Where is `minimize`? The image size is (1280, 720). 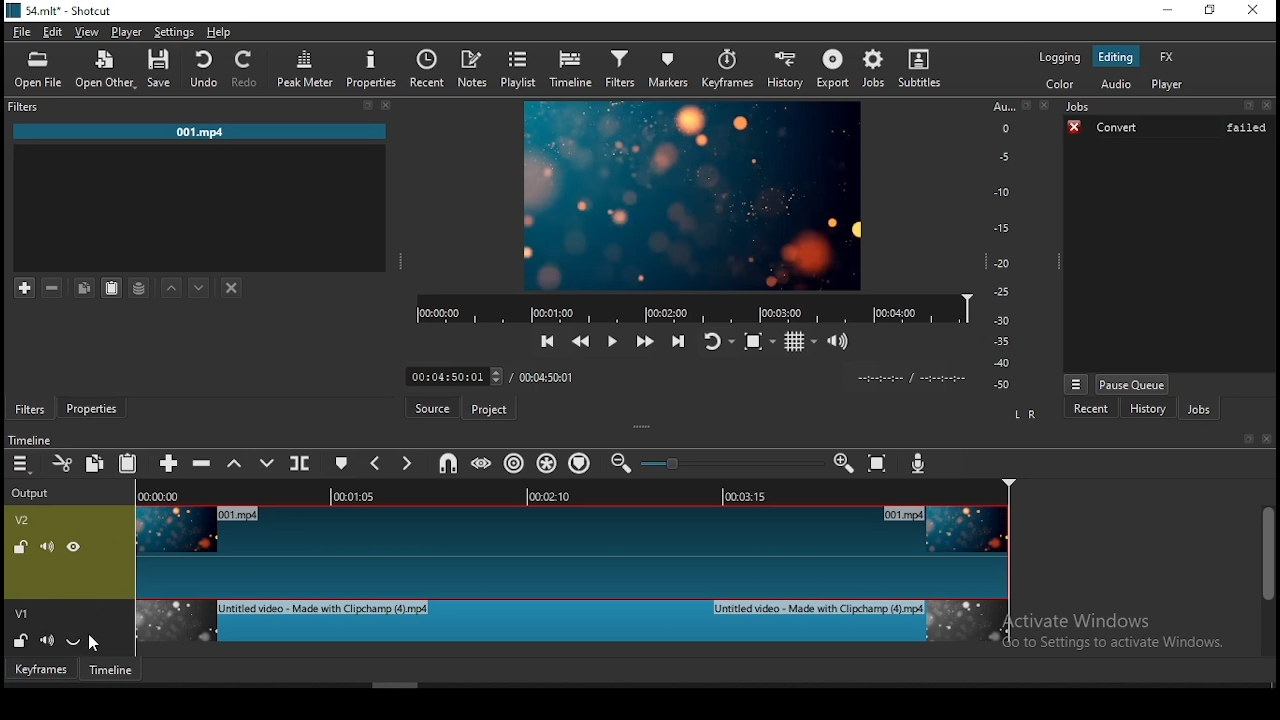 minimize is located at coordinates (1170, 9).